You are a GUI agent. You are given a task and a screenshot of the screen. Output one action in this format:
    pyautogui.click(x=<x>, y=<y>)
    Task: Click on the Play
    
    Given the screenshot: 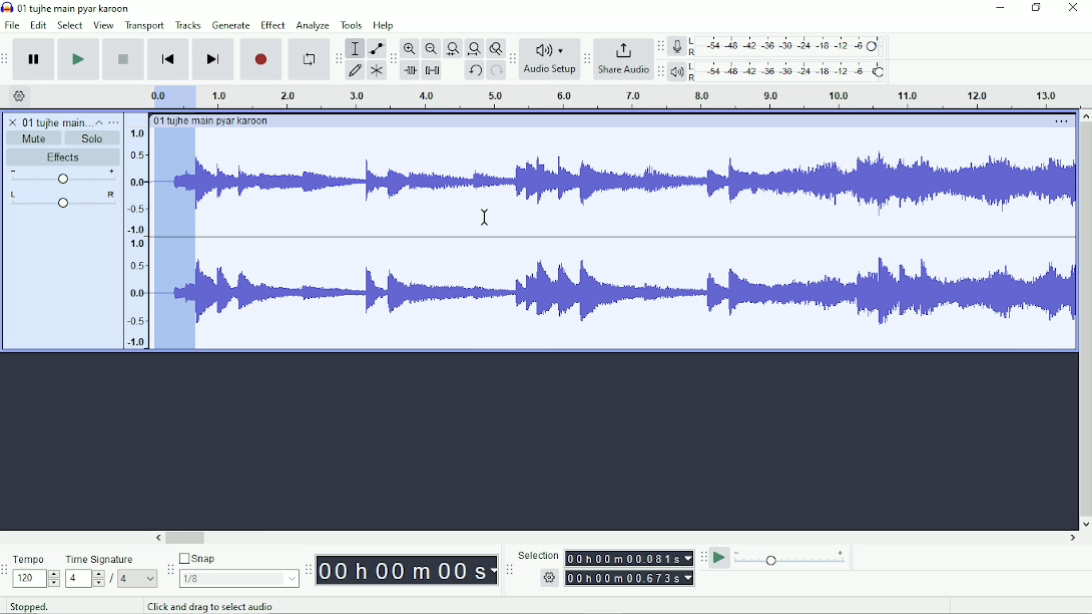 What is the action you would take?
    pyautogui.click(x=78, y=59)
    